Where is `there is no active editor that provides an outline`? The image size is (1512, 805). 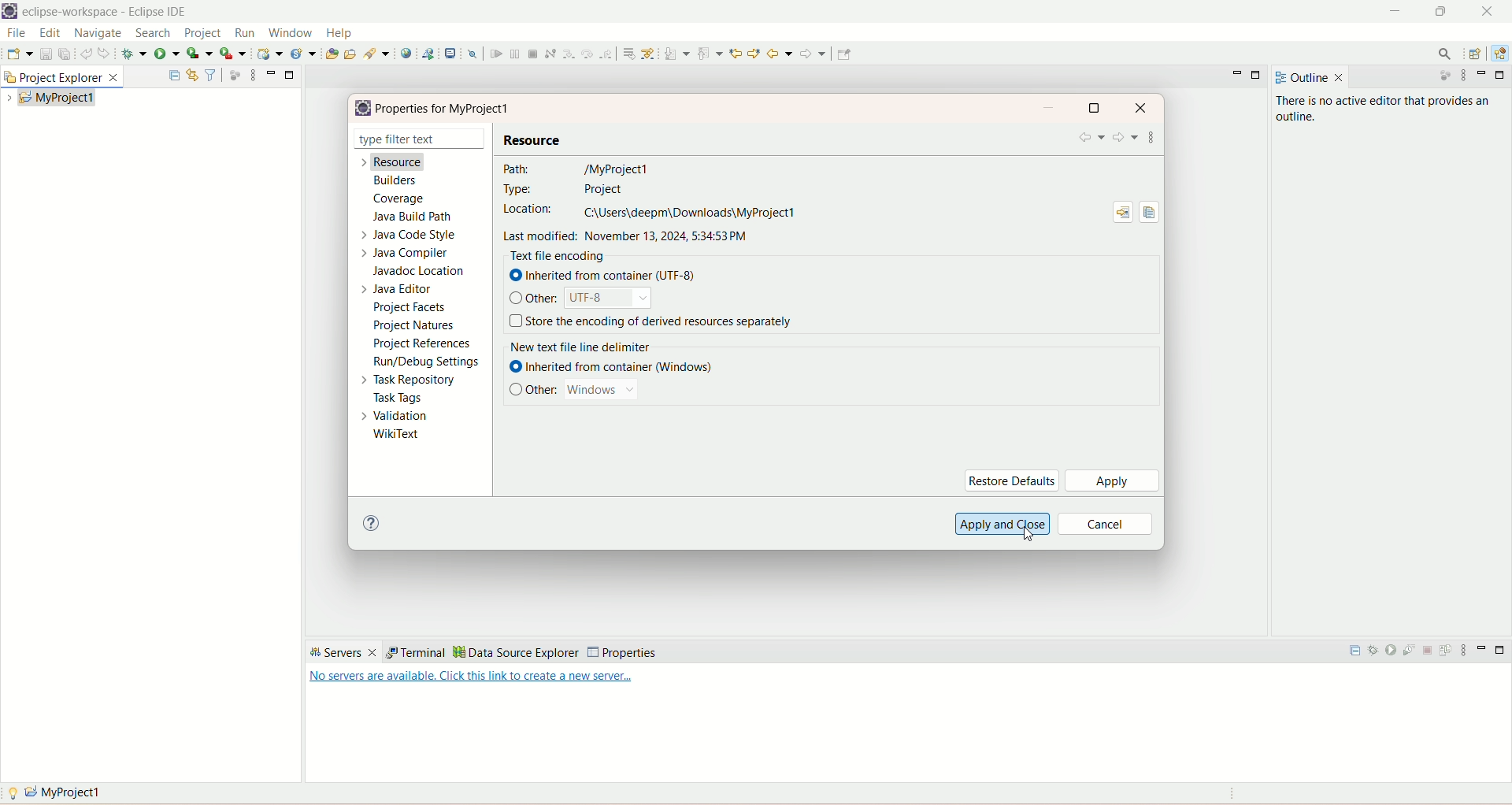
there is no active editor that provides an outline is located at coordinates (1388, 109).